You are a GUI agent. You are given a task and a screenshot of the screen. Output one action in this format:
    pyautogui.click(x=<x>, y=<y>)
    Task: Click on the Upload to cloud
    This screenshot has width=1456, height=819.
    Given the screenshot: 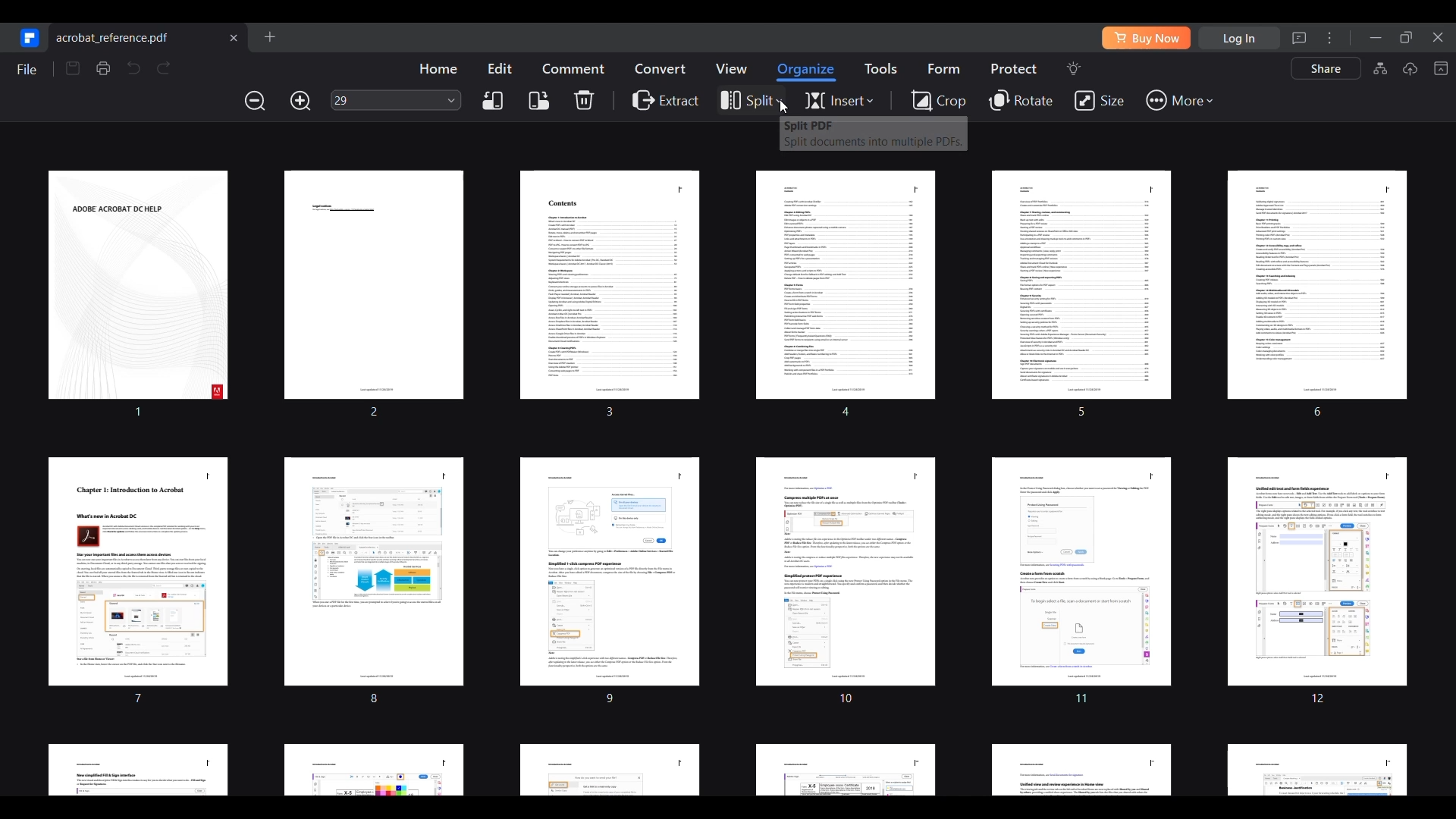 What is the action you would take?
    pyautogui.click(x=1410, y=68)
    